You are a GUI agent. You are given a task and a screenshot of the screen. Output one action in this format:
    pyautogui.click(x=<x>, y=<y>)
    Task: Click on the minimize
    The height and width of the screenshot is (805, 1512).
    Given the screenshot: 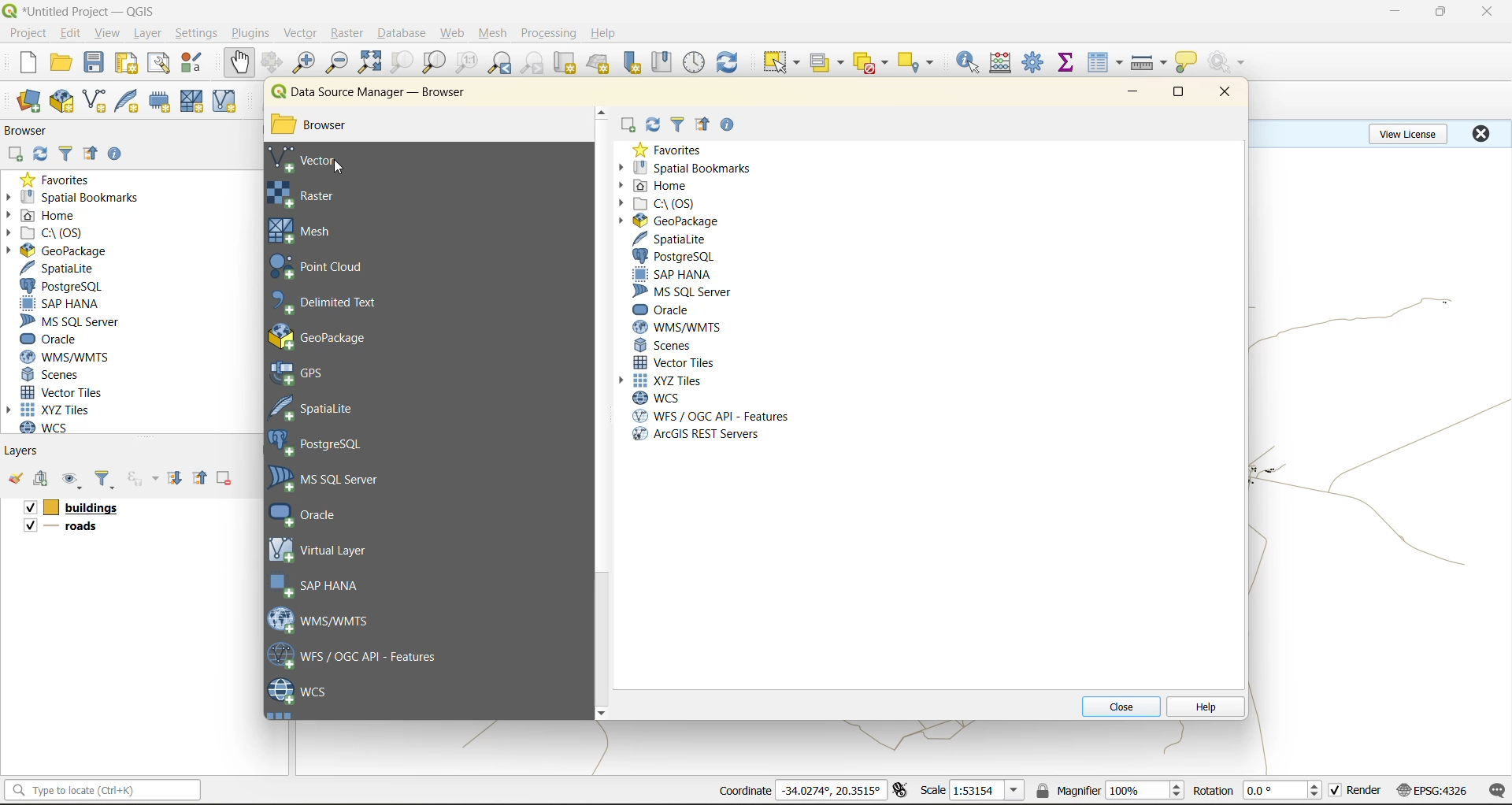 What is the action you would take?
    pyautogui.click(x=1132, y=93)
    